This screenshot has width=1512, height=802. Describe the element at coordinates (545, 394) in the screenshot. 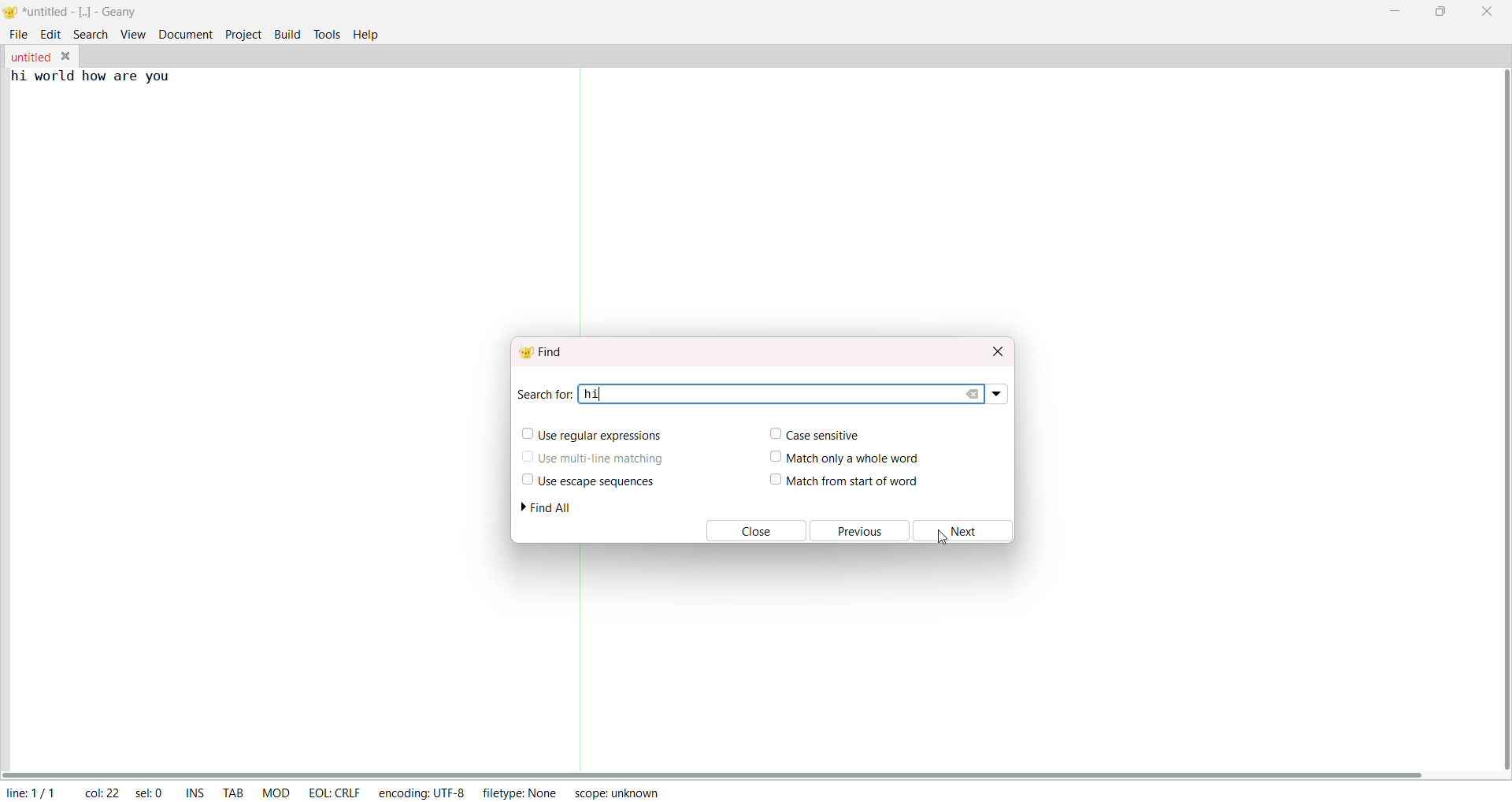

I see `search for` at that location.